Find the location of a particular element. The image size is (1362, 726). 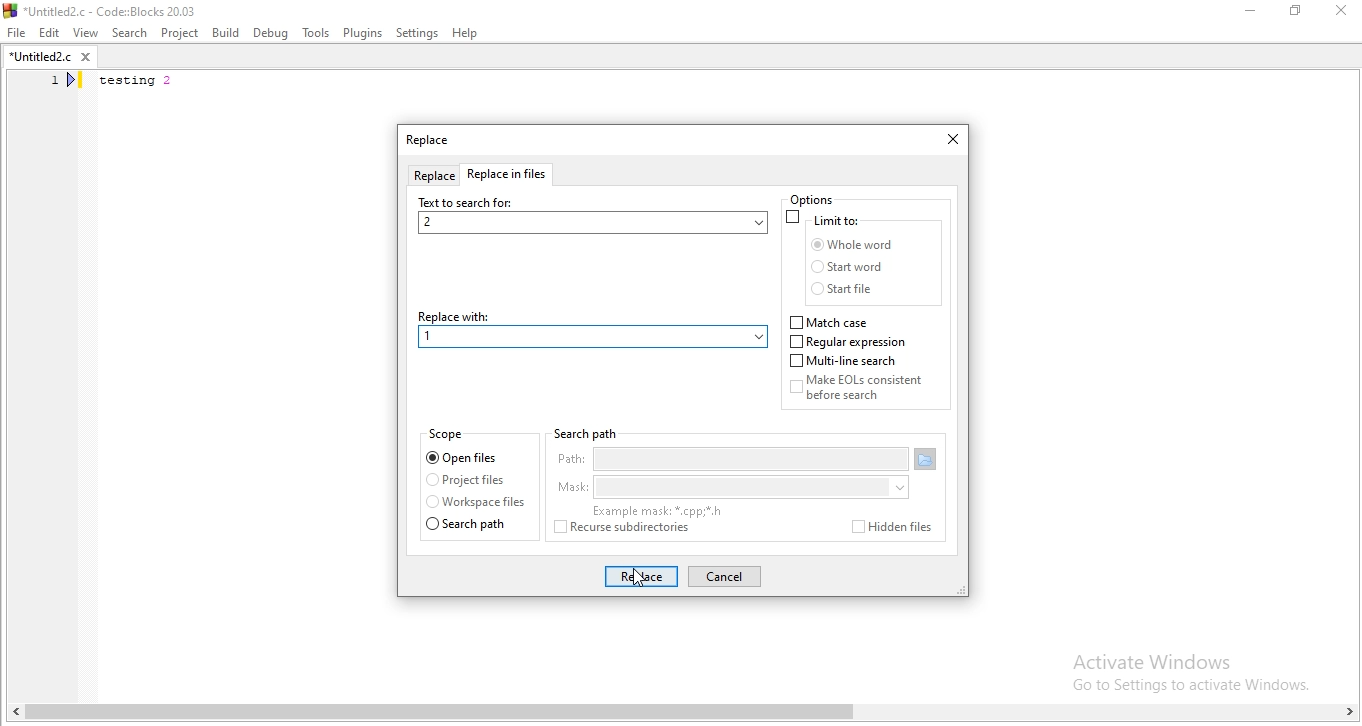

close is located at coordinates (948, 140).